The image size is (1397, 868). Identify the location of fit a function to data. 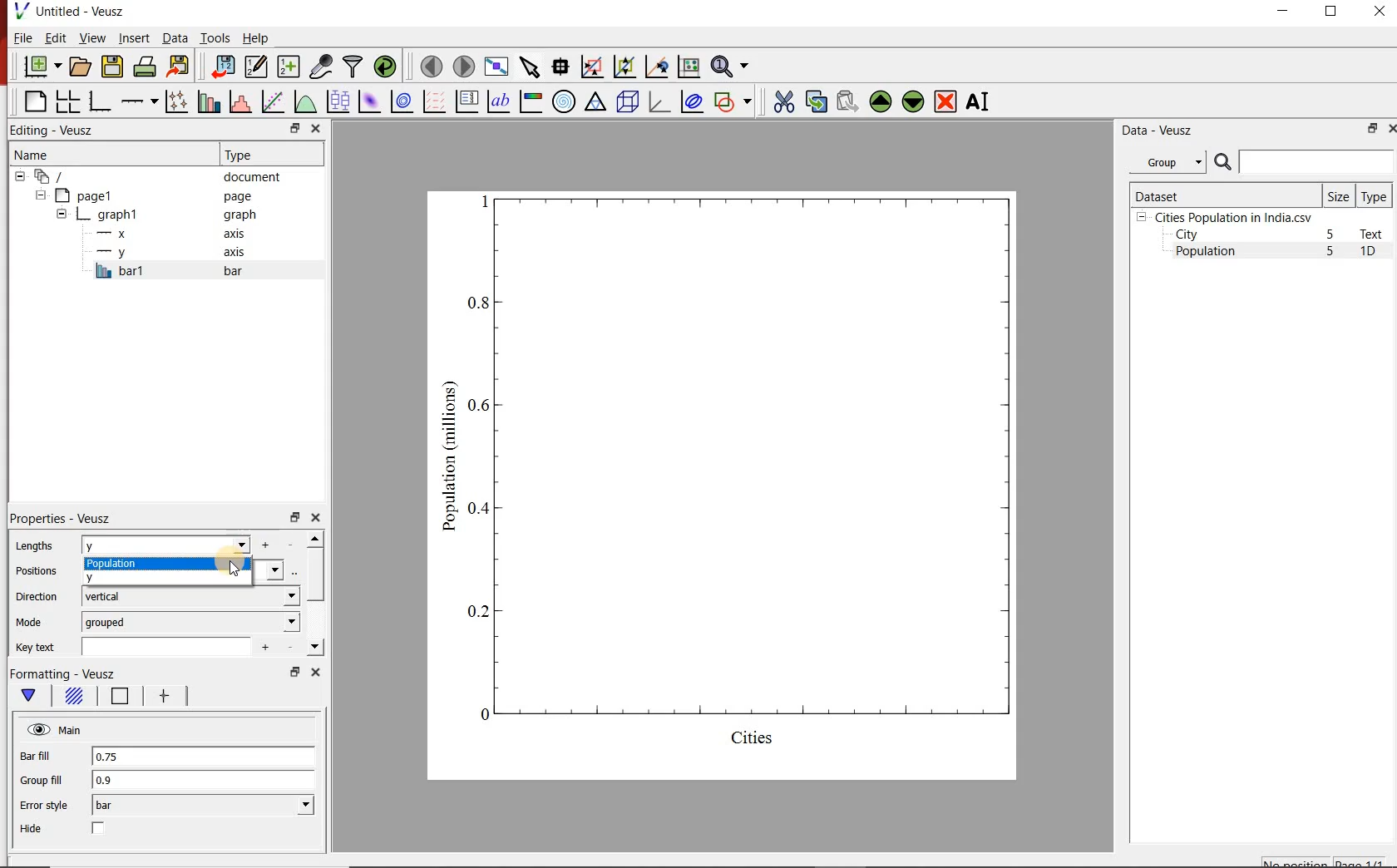
(272, 101).